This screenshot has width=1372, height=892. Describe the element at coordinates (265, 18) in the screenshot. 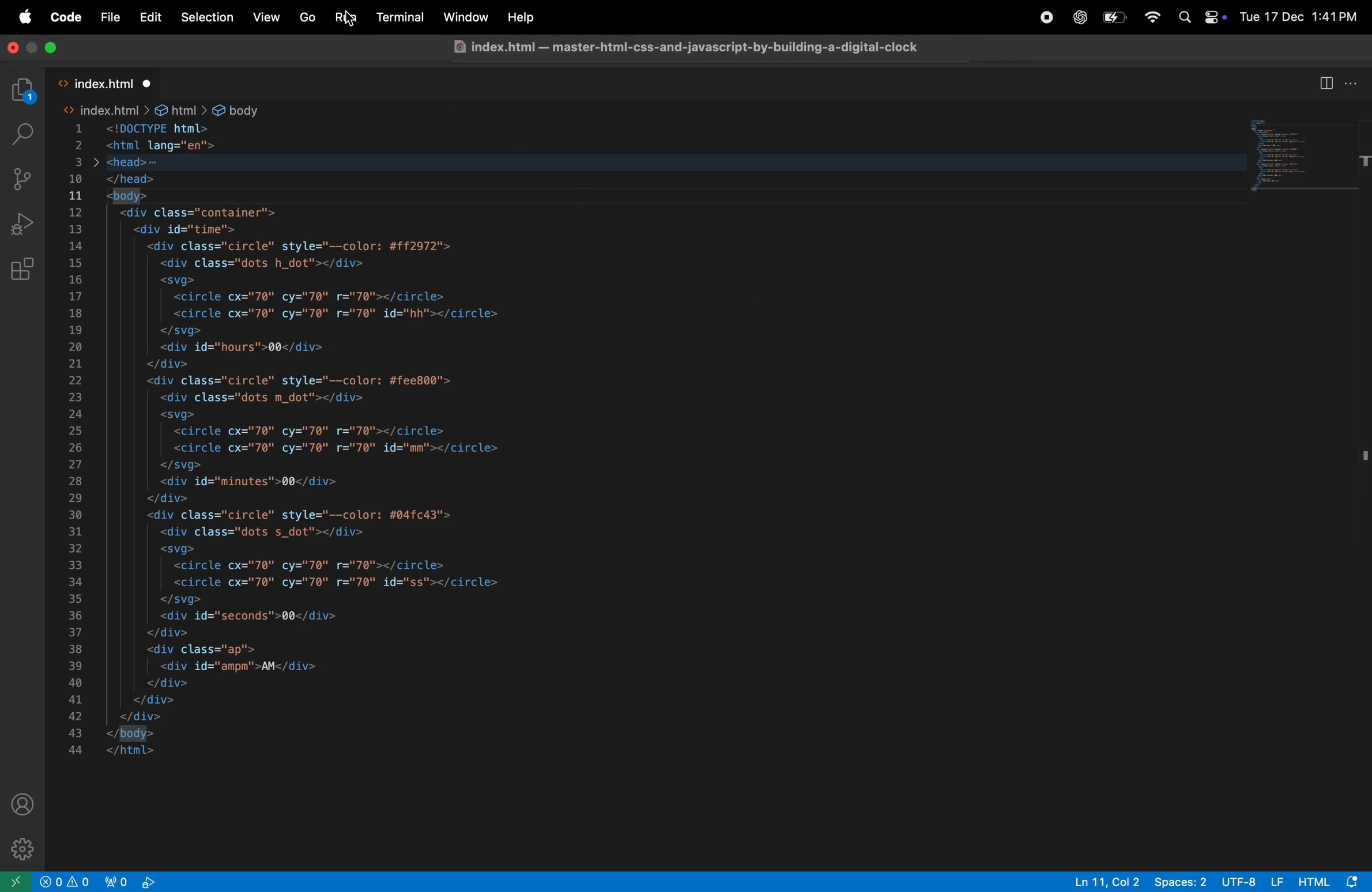

I see `View` at that location.